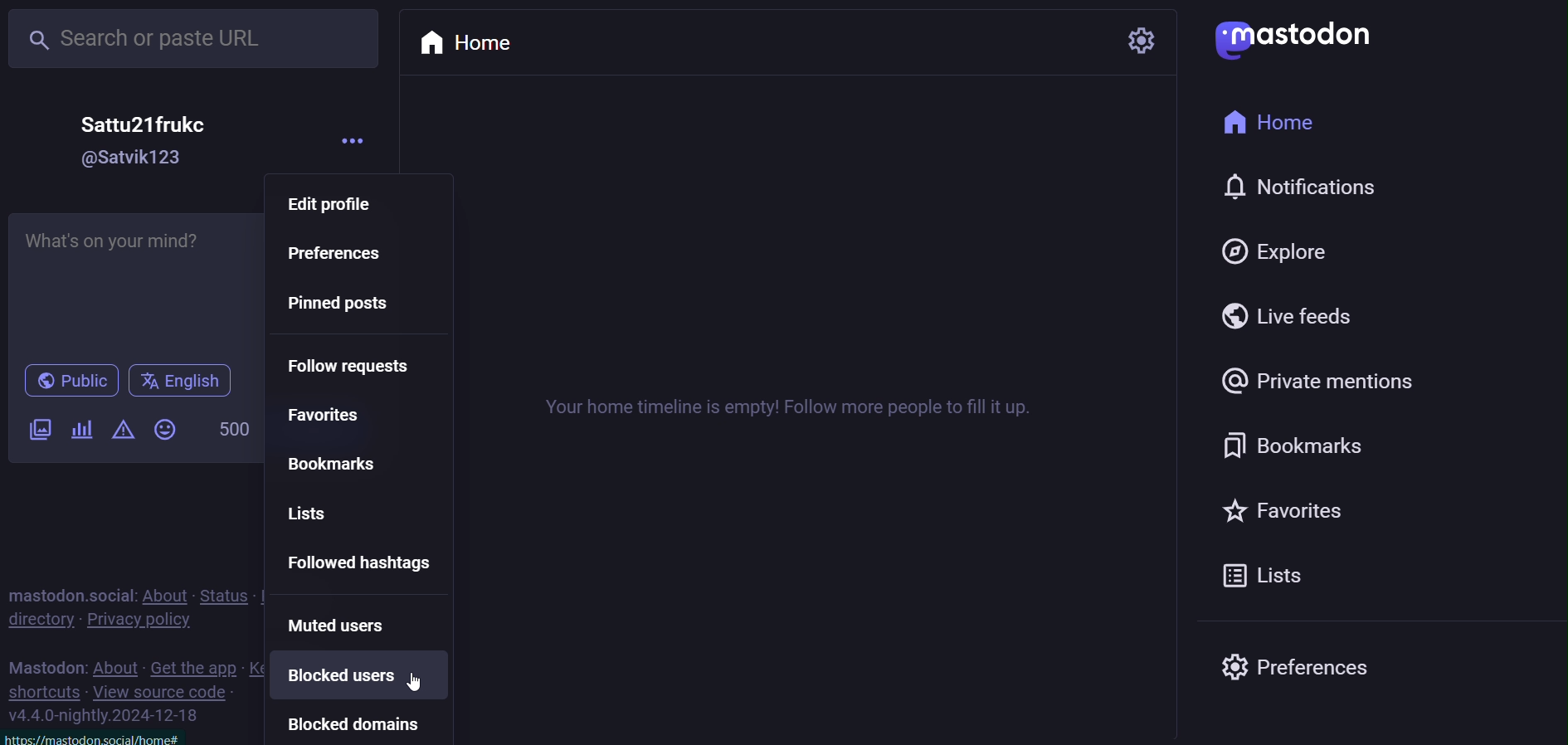 This screenshot has width=1568, height=745. Describe the element at coordinates (1298, 315) in the screenshot. I see `live feeds` at that location.